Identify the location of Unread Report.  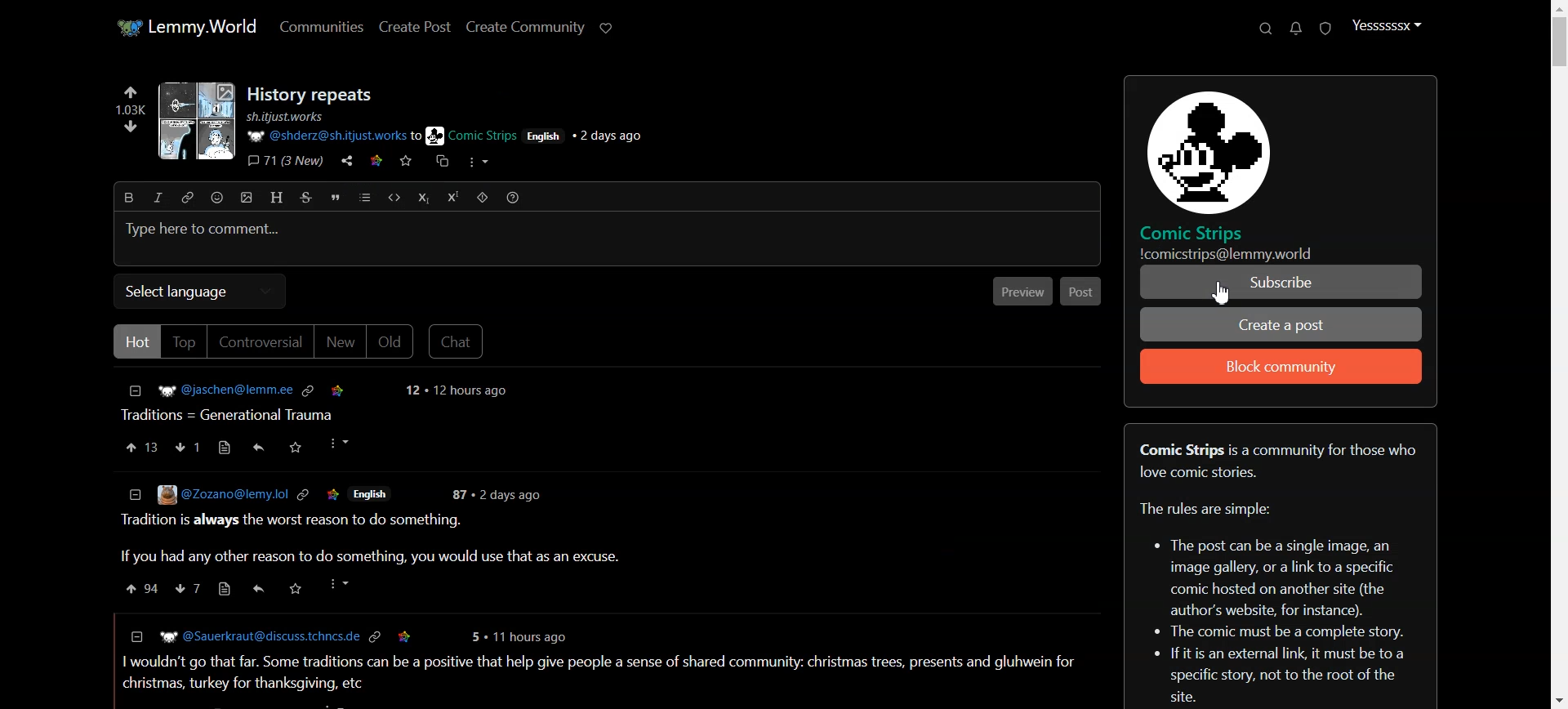
(1326, 29).